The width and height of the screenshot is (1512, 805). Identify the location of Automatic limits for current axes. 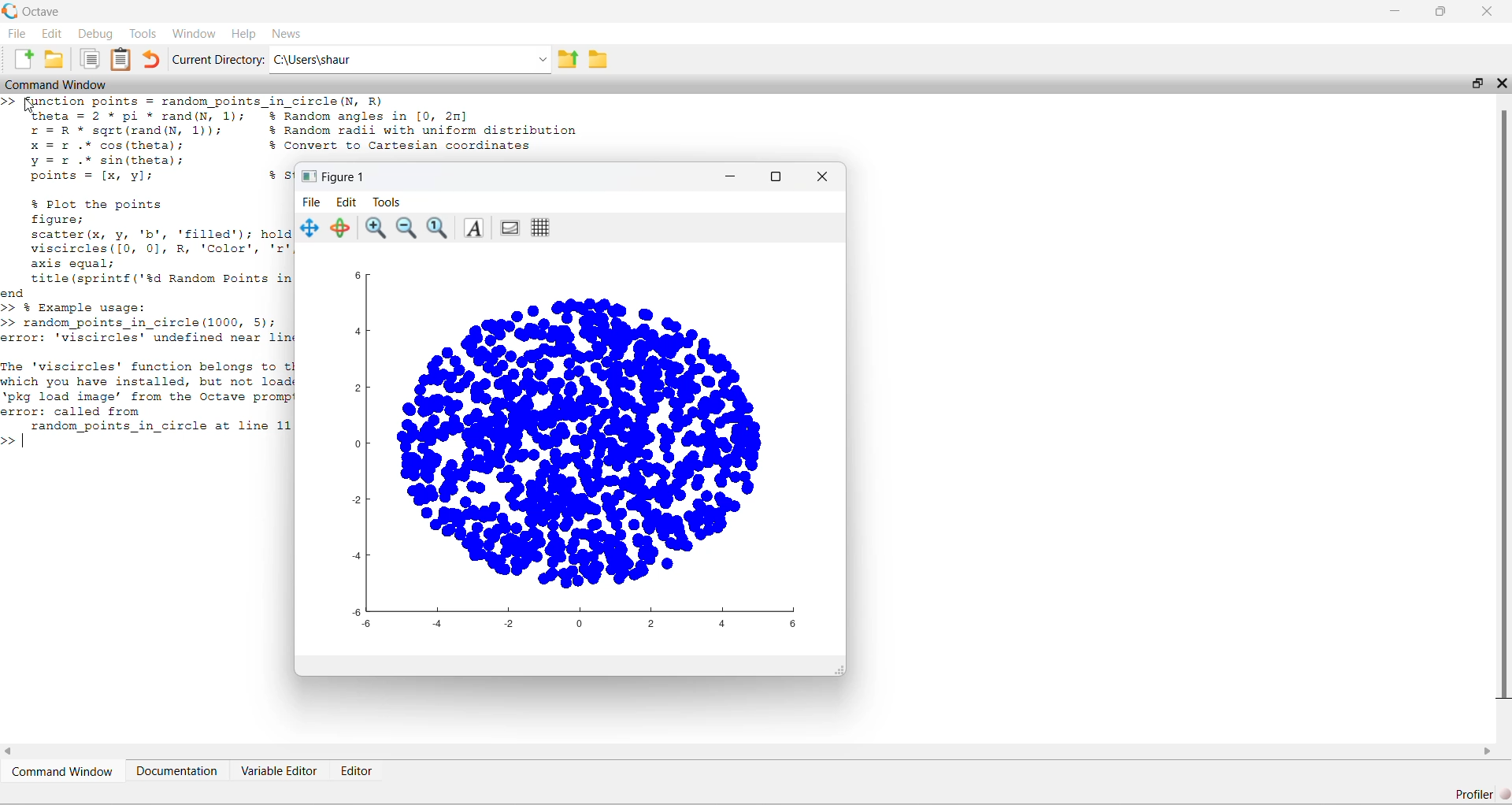
(437, 228).